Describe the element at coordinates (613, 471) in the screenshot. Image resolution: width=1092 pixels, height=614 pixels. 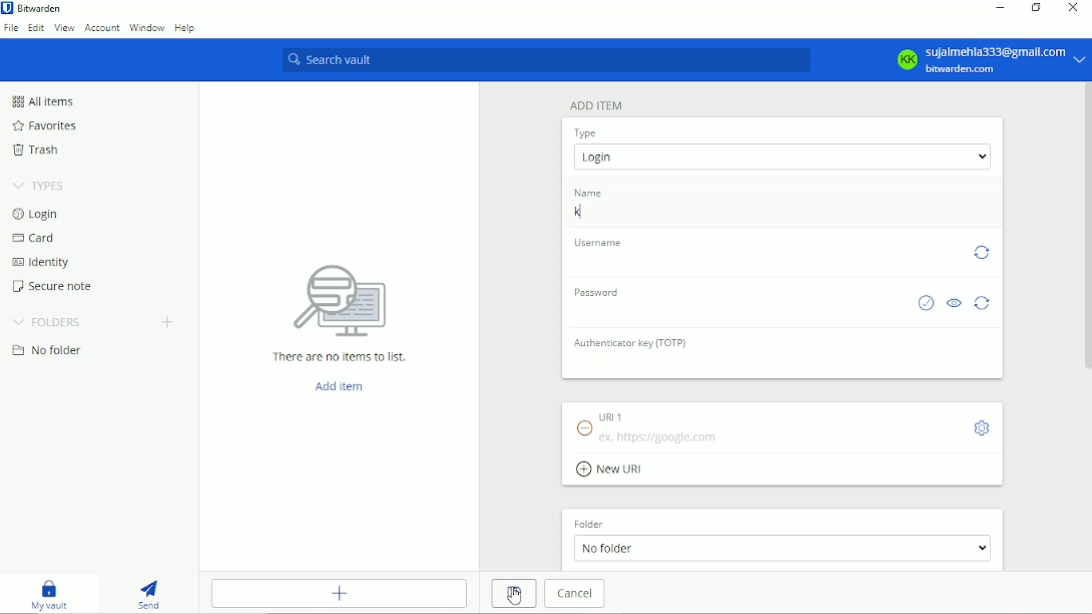
I see `add New URI` at that location.